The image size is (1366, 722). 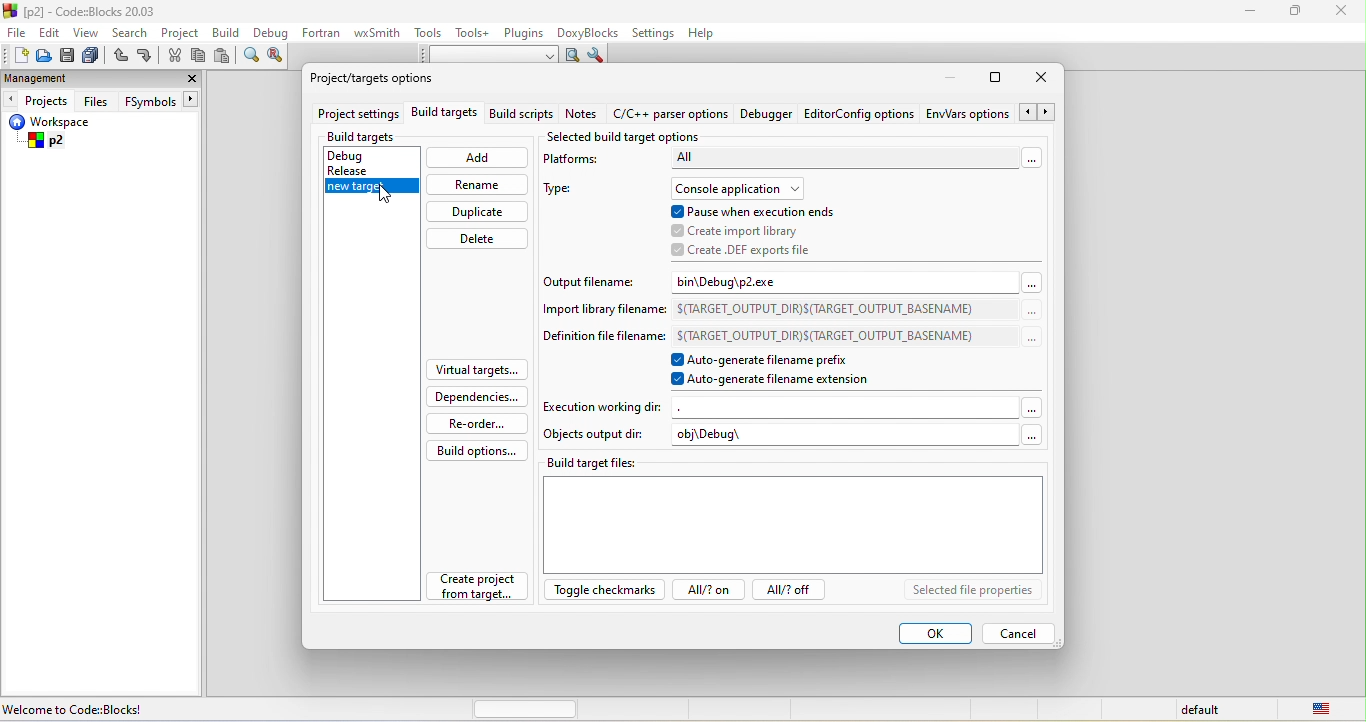 I want to click on open, so click(x=41, y=59).